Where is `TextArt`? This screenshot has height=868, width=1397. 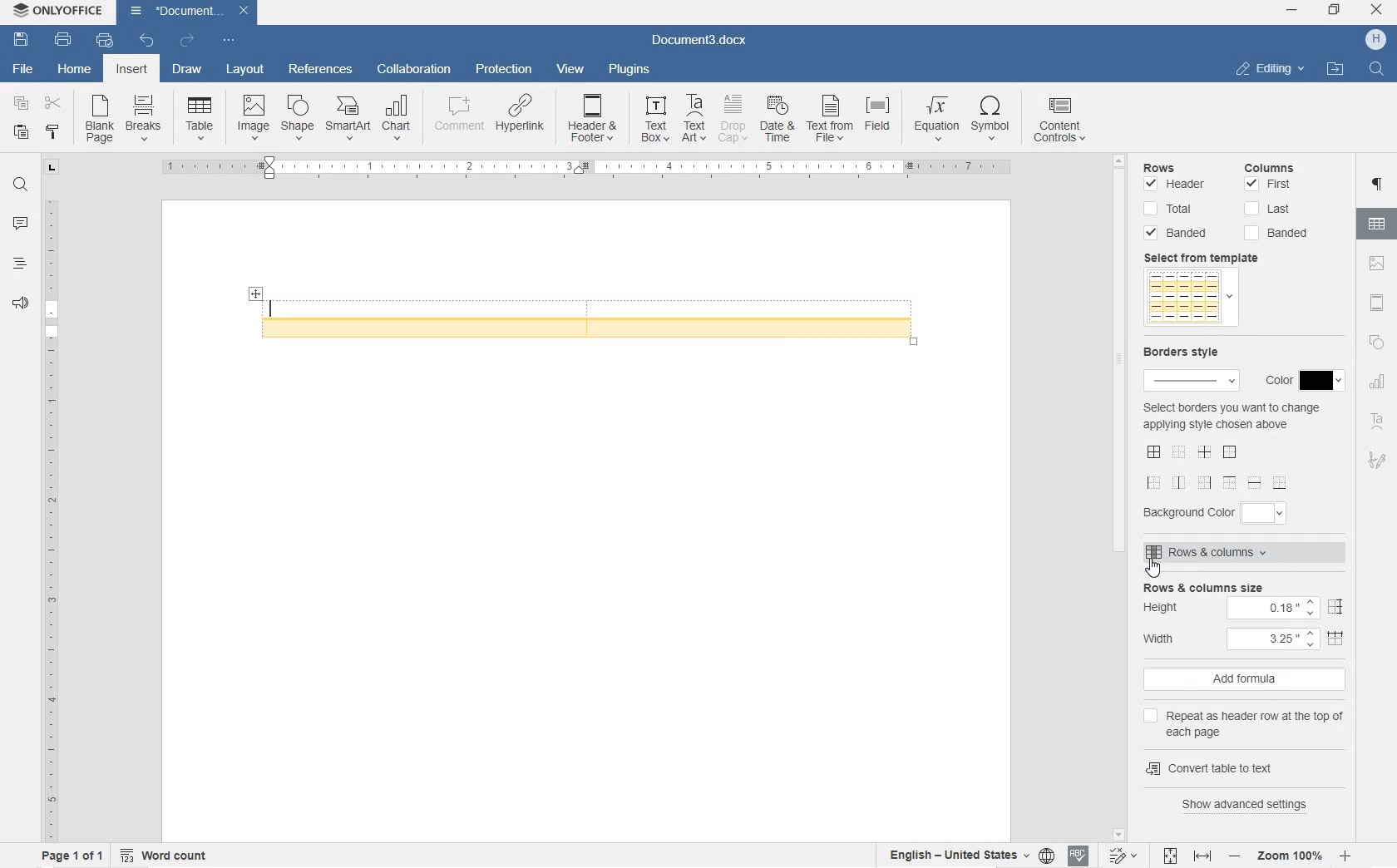 TextArt is located at coordinates (695, 118).